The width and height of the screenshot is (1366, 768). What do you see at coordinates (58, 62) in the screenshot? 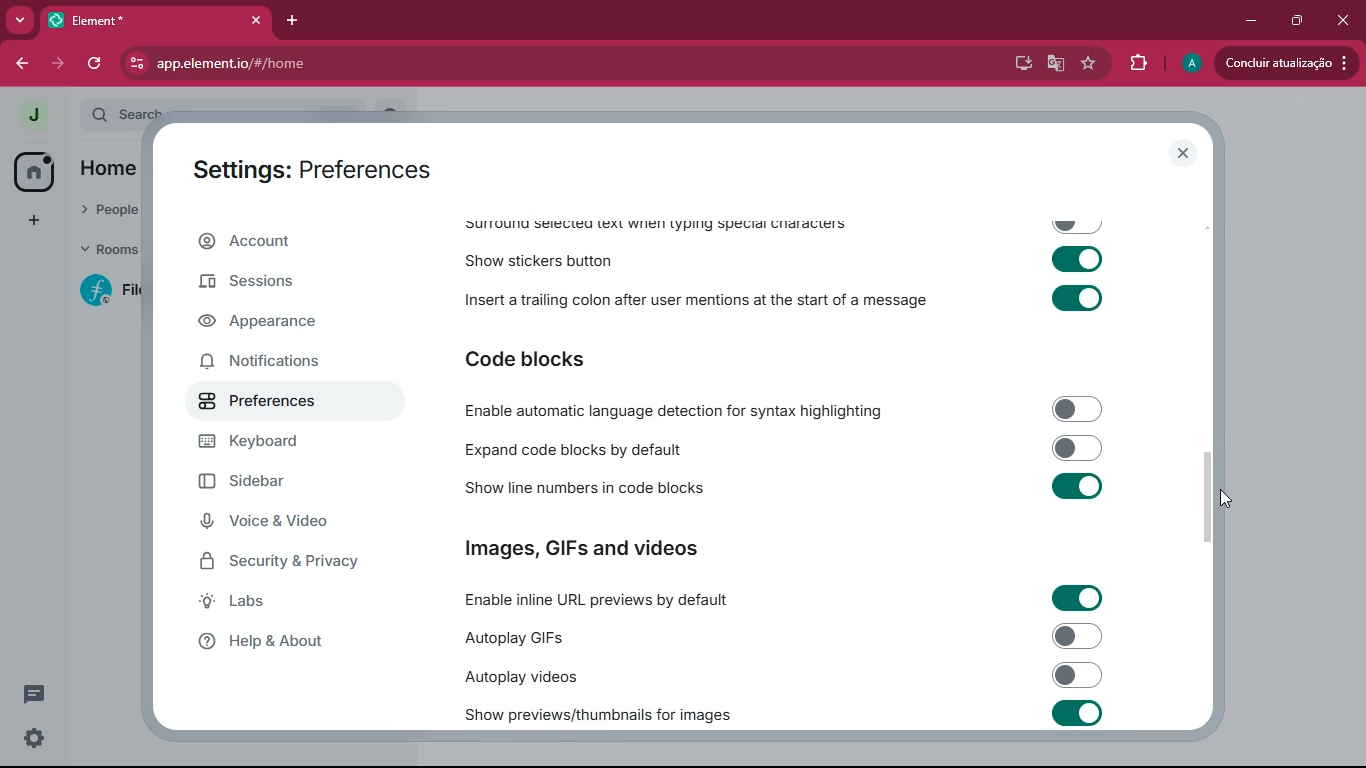
I see `forward` at bounding box center [58, 62].